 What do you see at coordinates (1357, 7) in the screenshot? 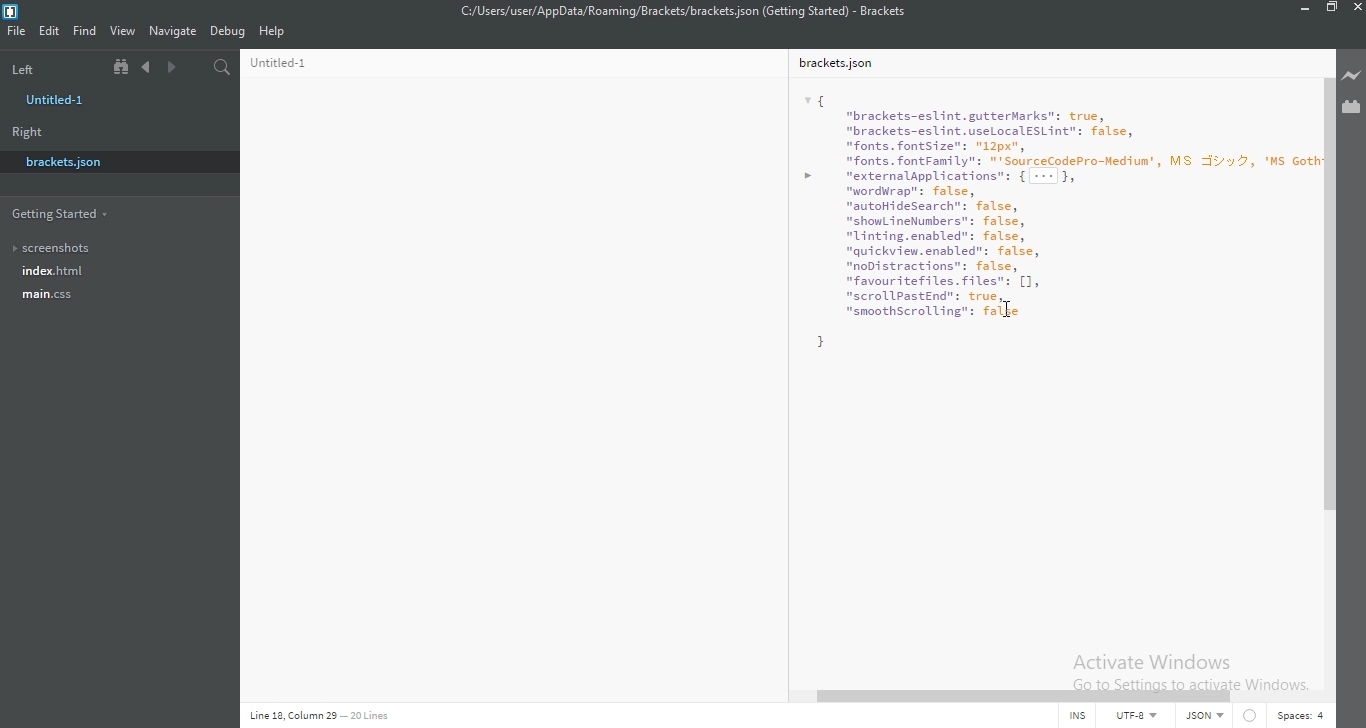
I see `close` at bounding box center [1357, 7].